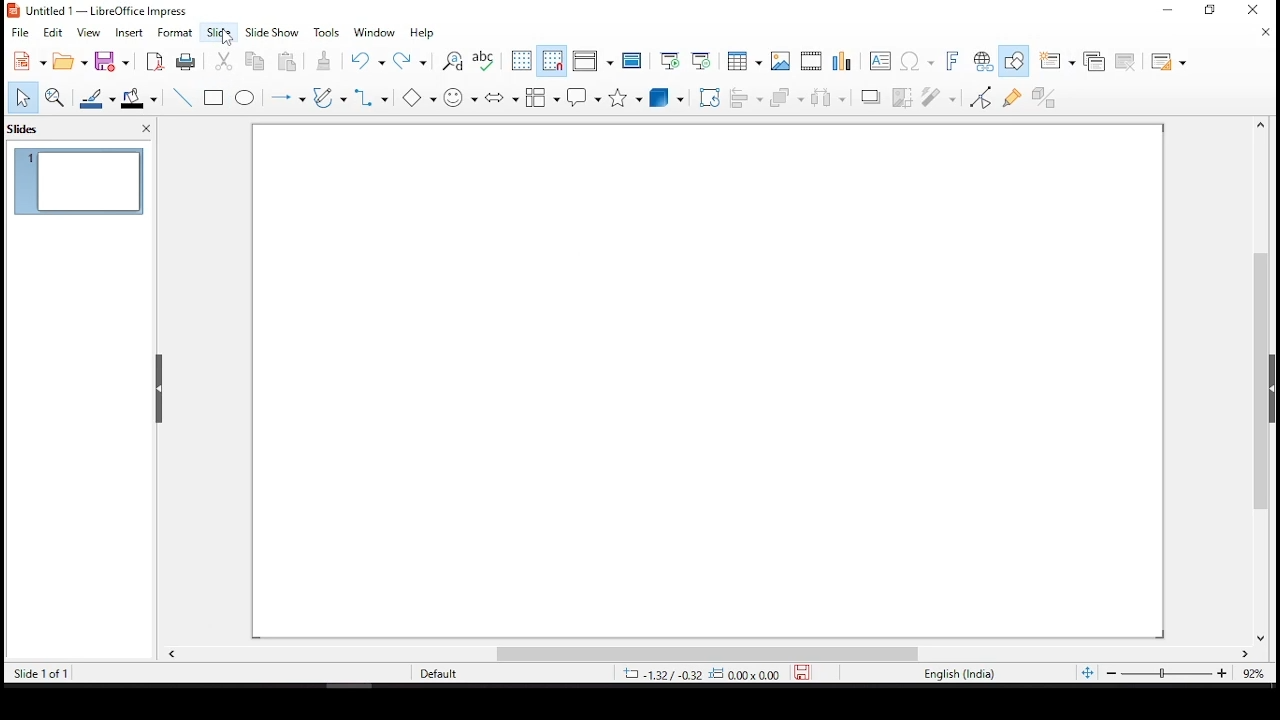 The width and height of the screenshot is (1280, 720). I want to click on callout shapes, so click(586, 96).